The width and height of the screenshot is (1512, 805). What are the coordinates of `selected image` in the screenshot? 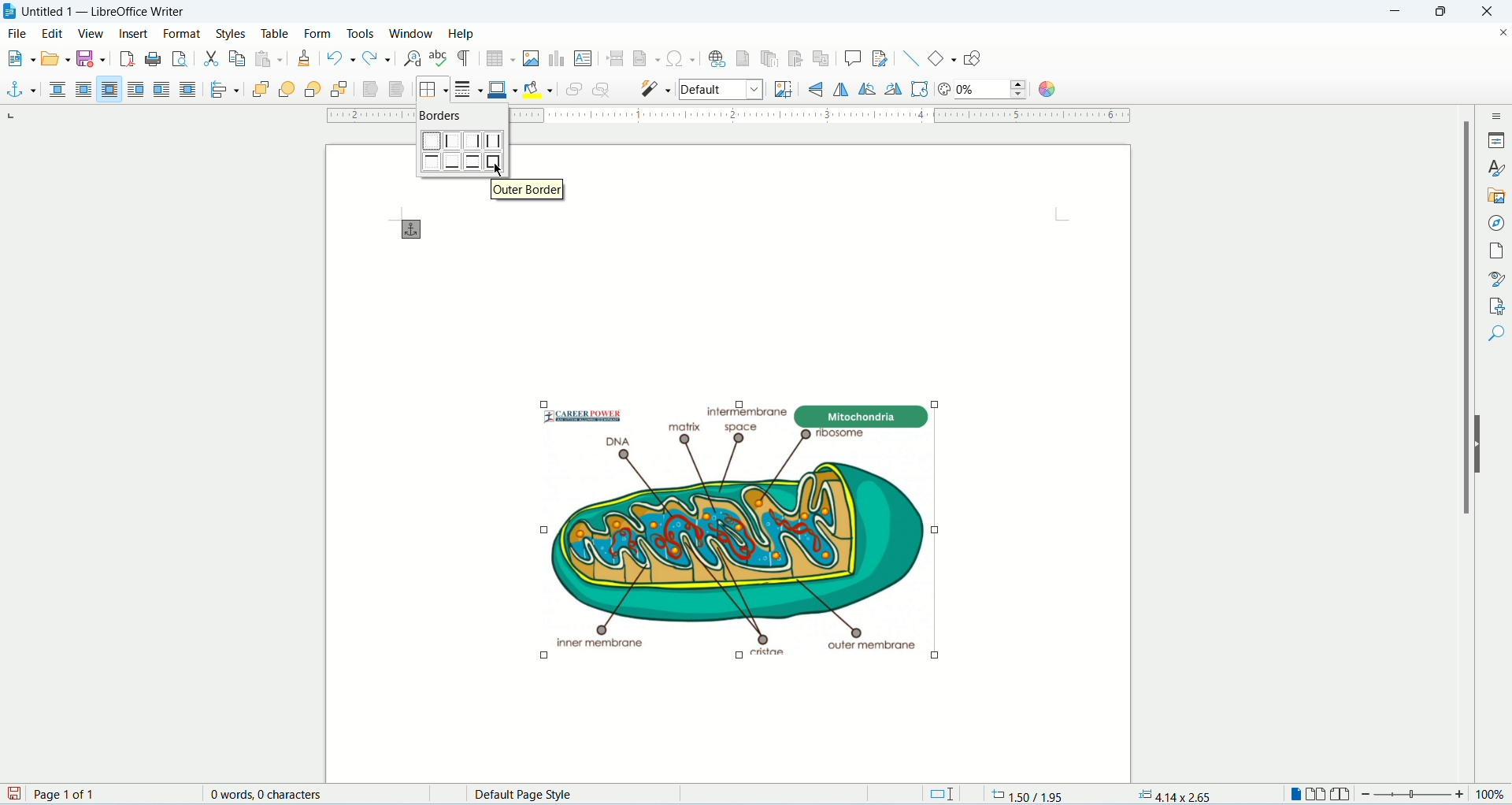 It's located at (693, 525).